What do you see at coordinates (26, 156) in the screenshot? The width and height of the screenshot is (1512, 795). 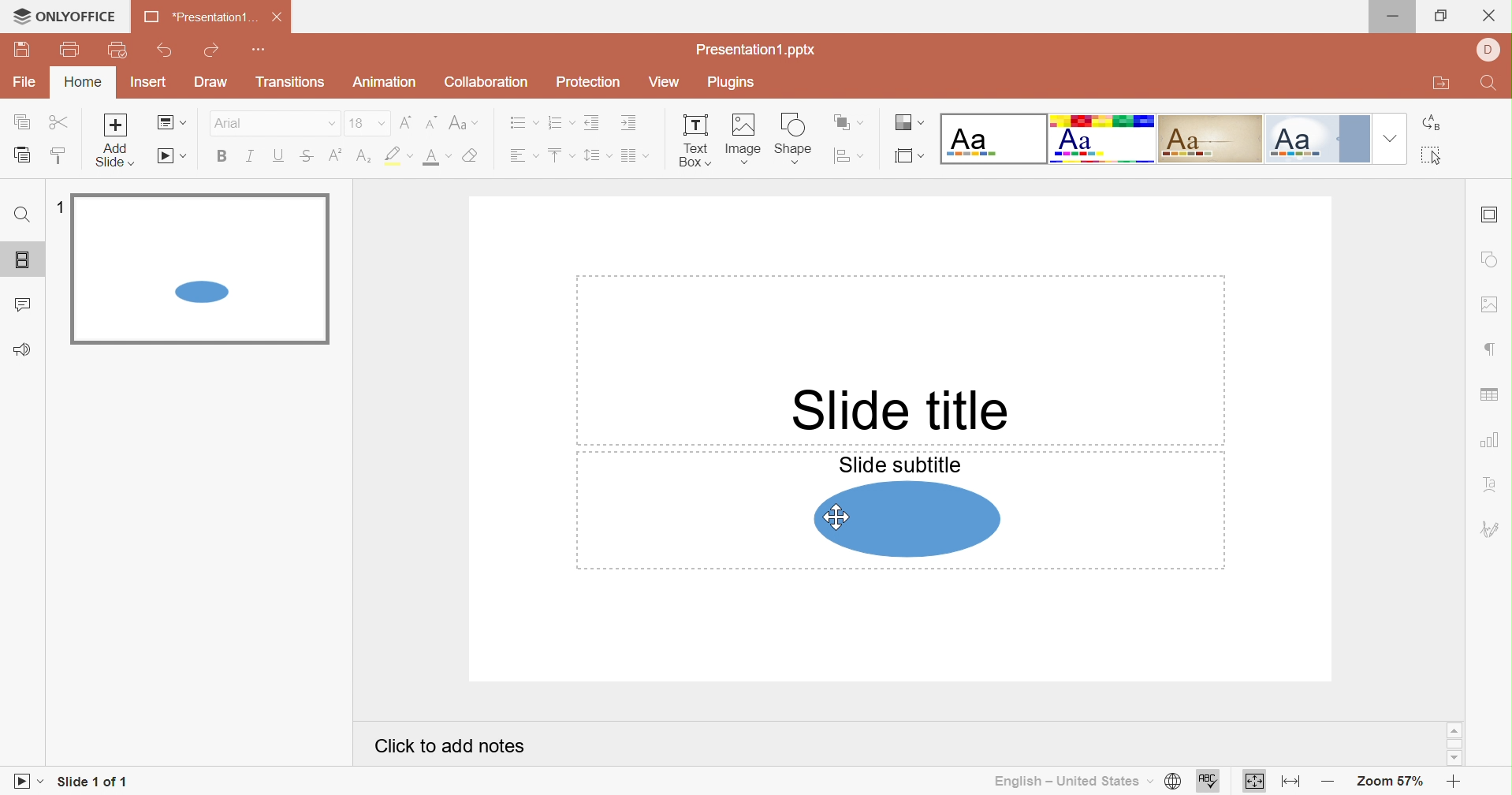 I see `Paste` at bounding box center [26, 156].